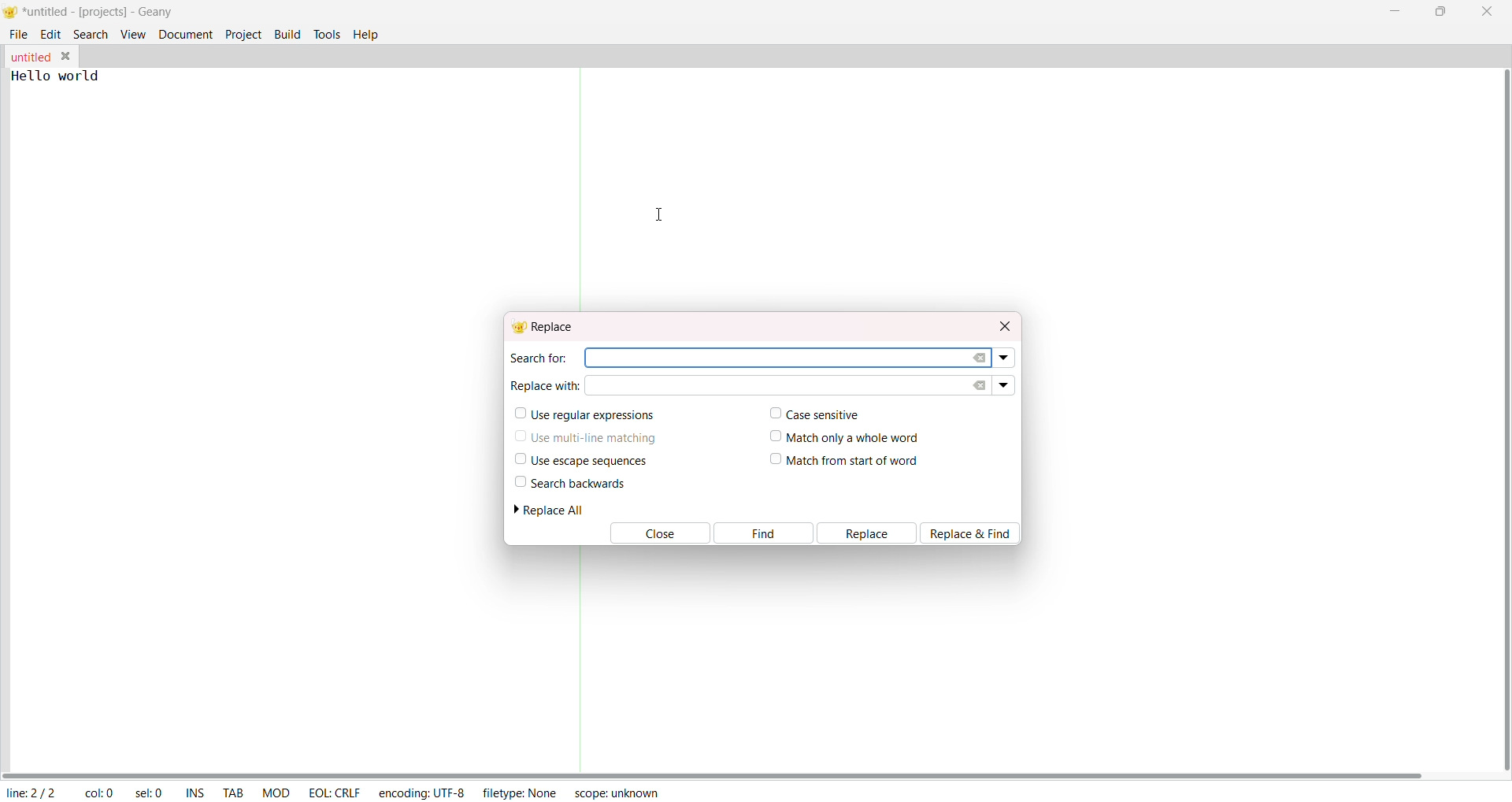 The width and height of the screenshot is (1512, 802). What do you see at coordinates (587, 435) in the screenshot?
I see `use multi line matching` at bounding box center [587, 435].